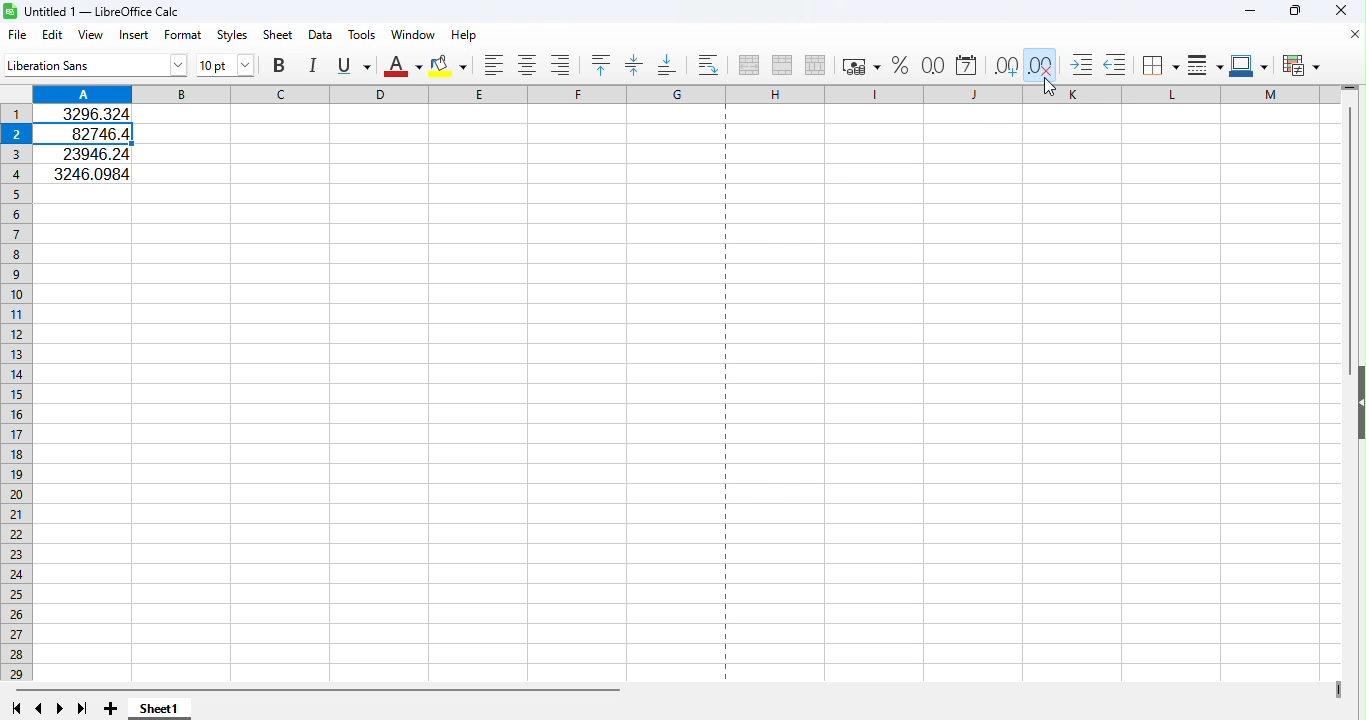 The width and height of the screenshot is (1366, 720). What do you see at coordinates (1045, 89) in the screenshot?
I see `Cursor` at bounding box center [1045, 89].